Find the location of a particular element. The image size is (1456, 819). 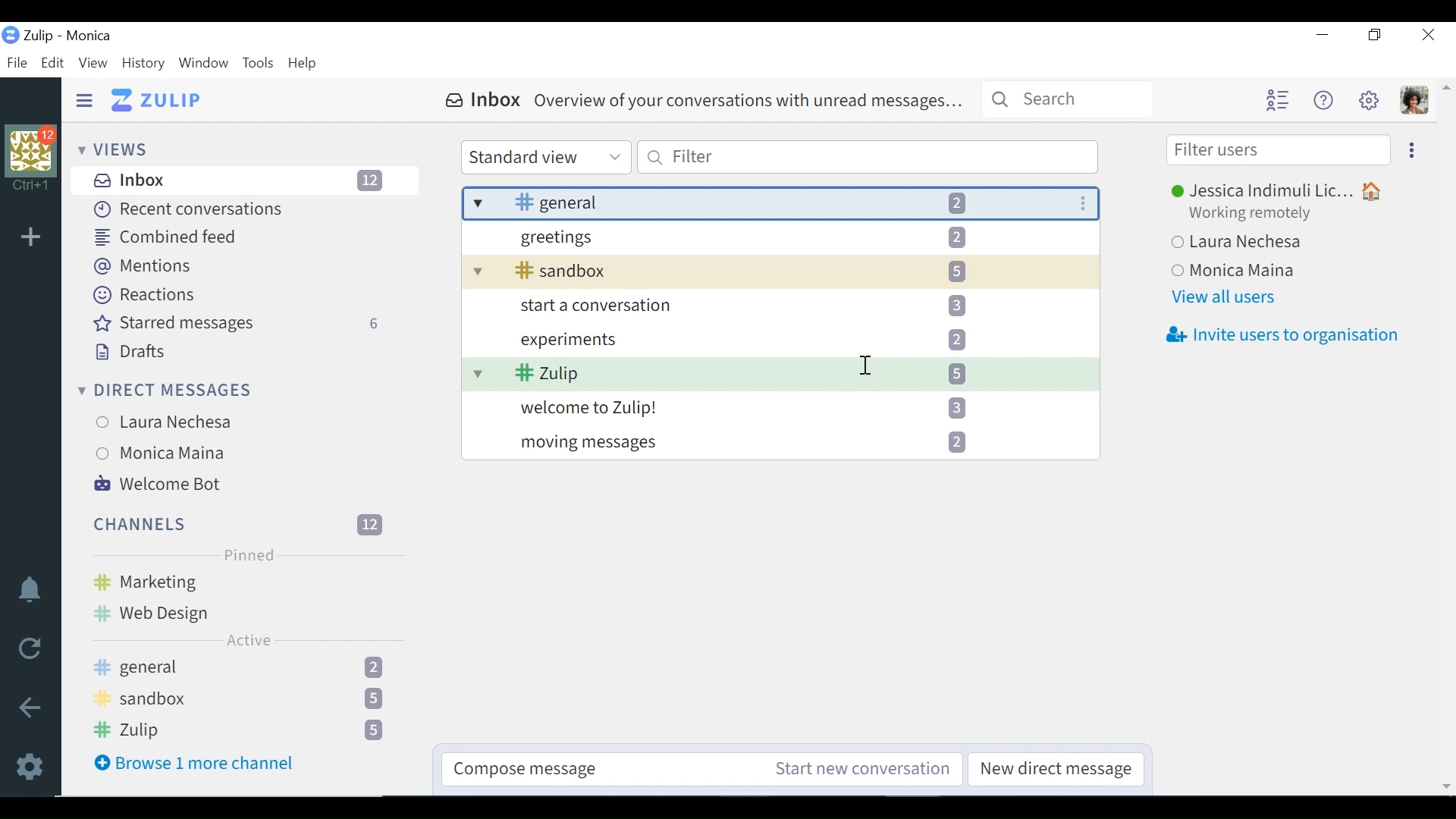

Window is located at coordinates (206, 64).